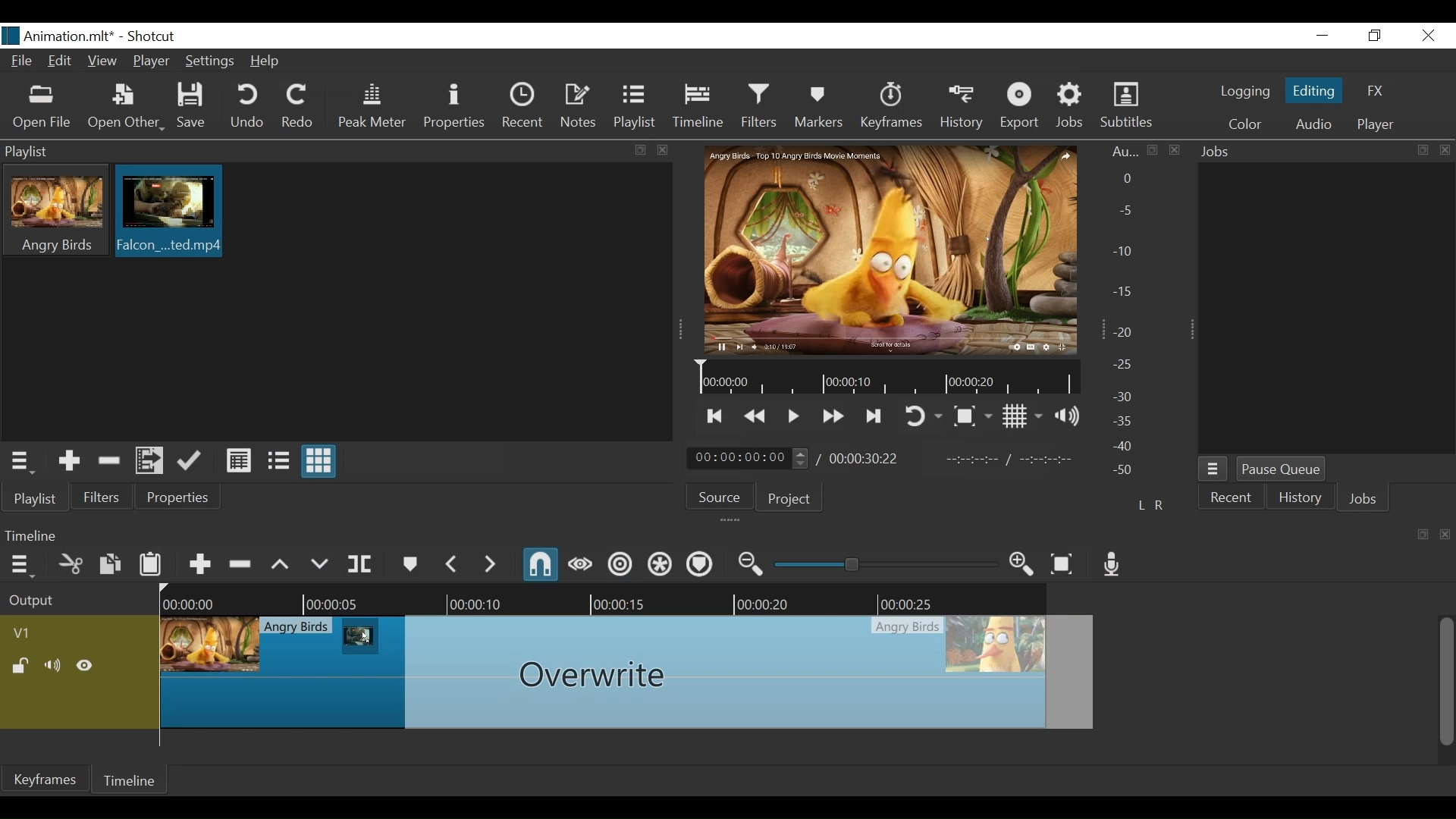 This screenshot has width=1456, height=819. What do you see at coordinates (24, 633) in the screenshot?
I see `Track Header` at bounding box center [24, 633].